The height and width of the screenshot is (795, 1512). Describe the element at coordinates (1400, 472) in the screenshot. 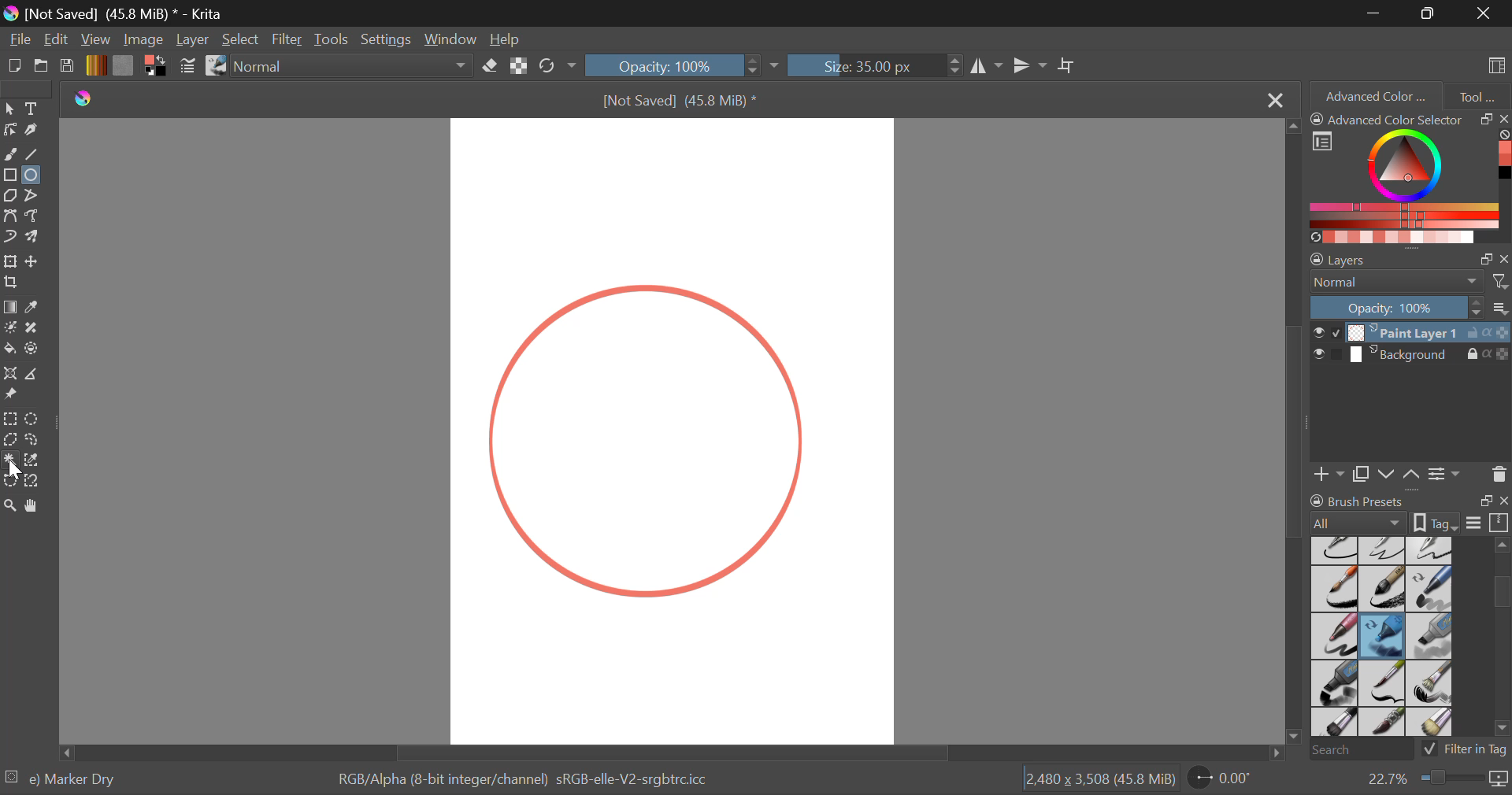

I see `Move Layers` at that location.